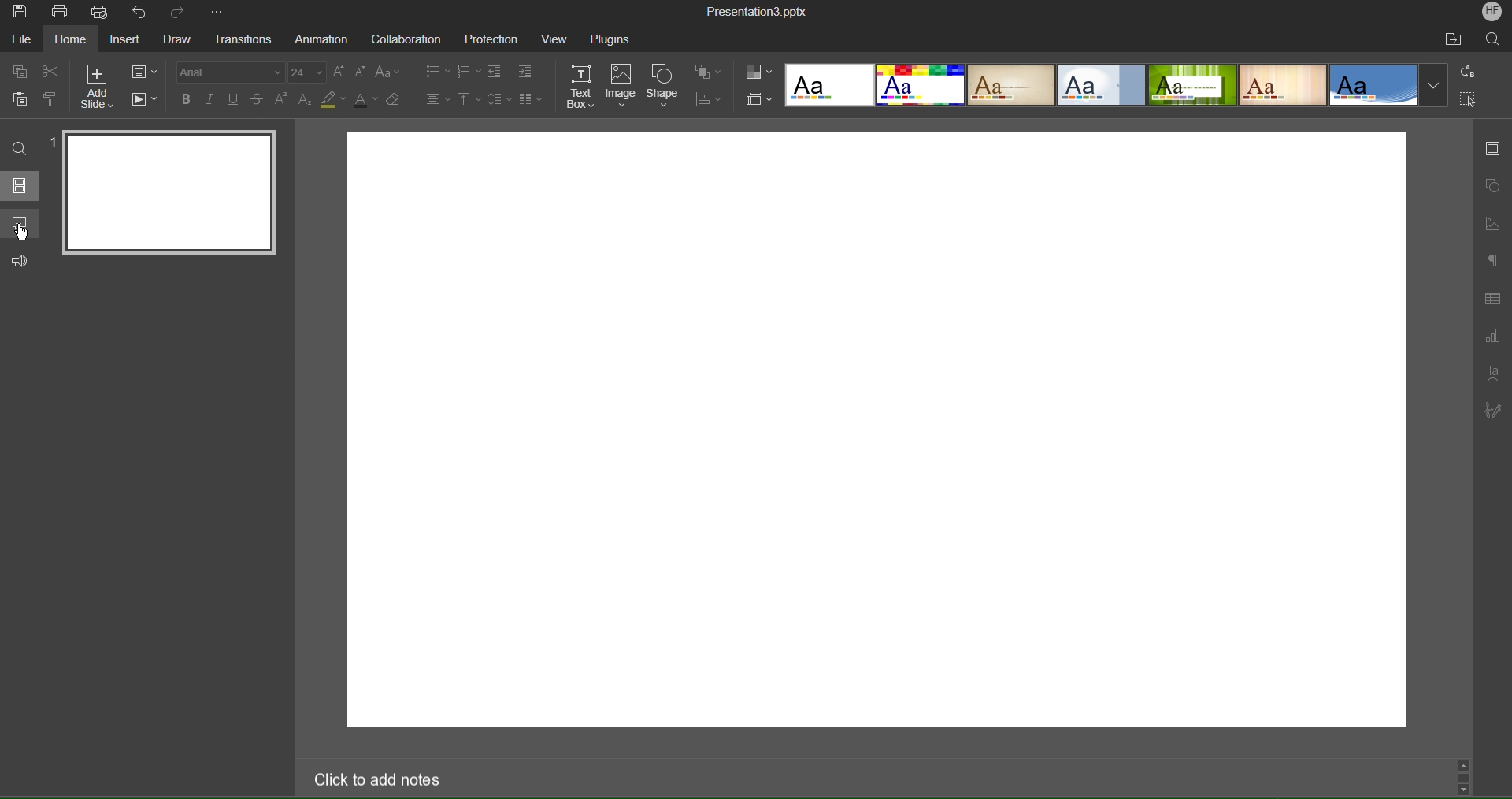 The height and width of the screenshot is (799, 1512). Describe the element at coordinates (759, 100) in the screenshot. I see `Slide Size Settings` at that location.